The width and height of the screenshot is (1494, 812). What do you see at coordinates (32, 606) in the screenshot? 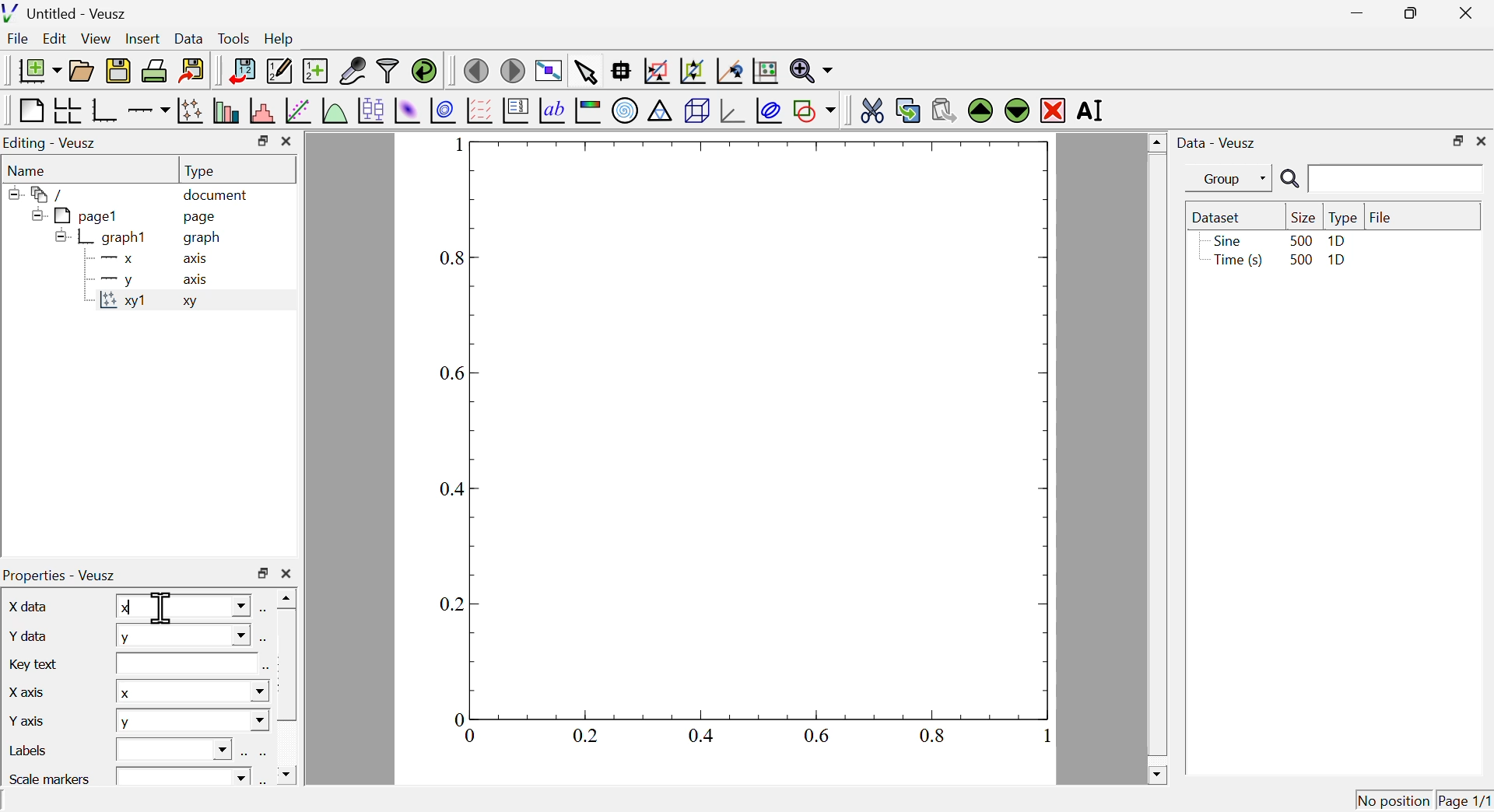
I see `x data` at bounding box center [32, 606].